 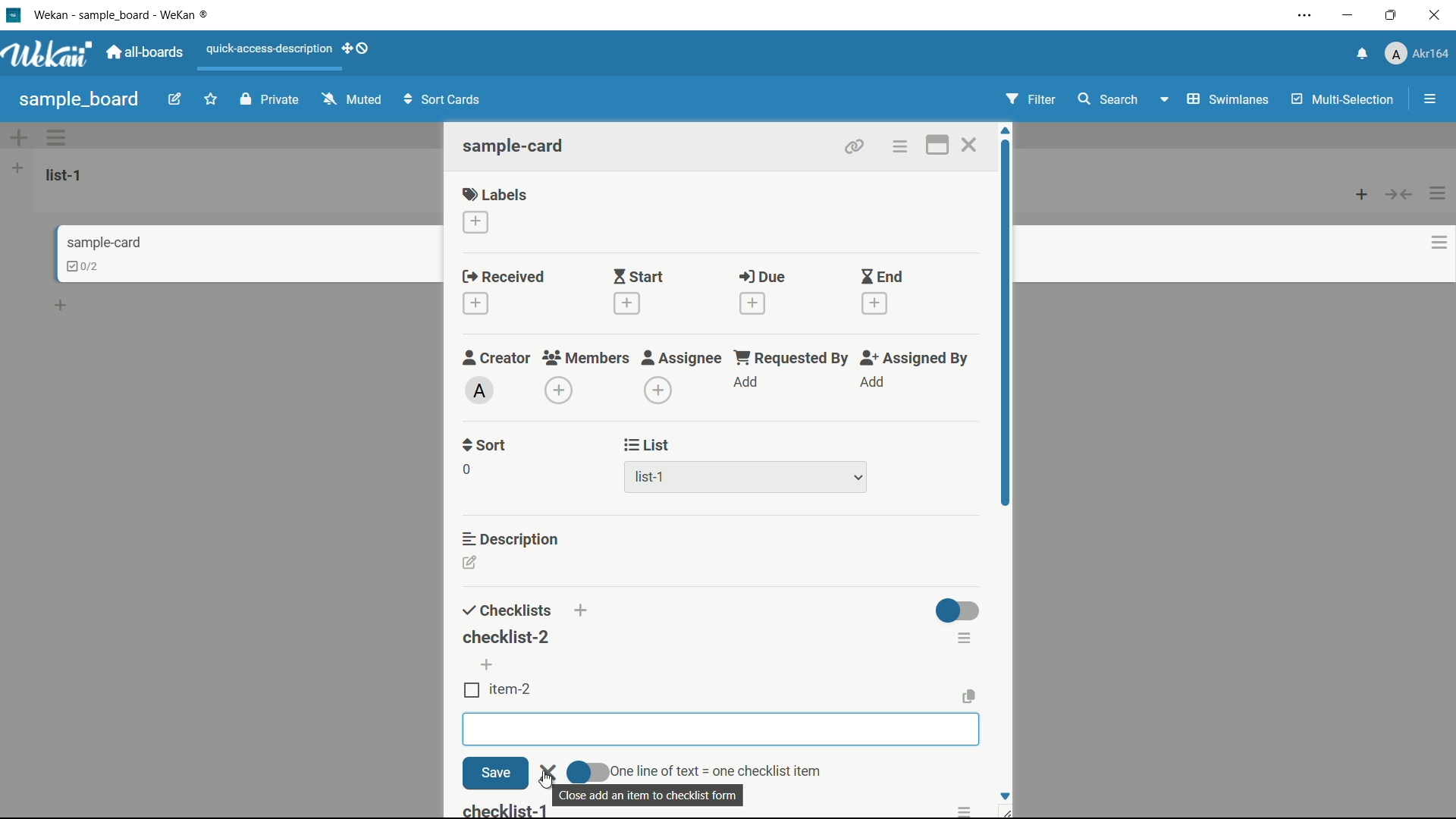 What do you see at coordinates (1226, 99) in the screenshot?
I see `swimlanes` at bounding box center [1226, 99].